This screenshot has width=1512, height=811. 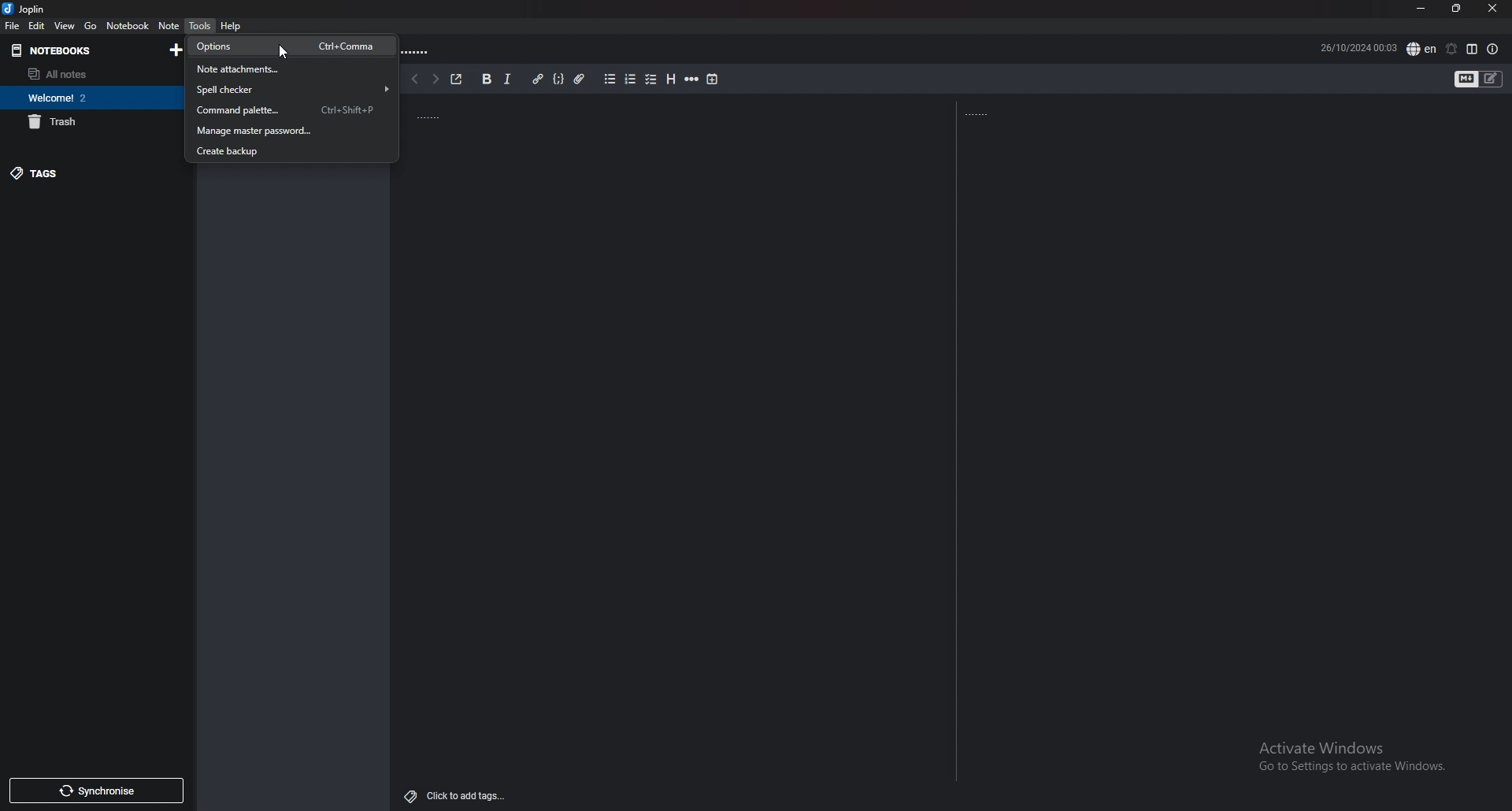 What do you see at coordinates (611, 79) in the screenshot?
I see `bullet list` at bounding box center [611, 79].